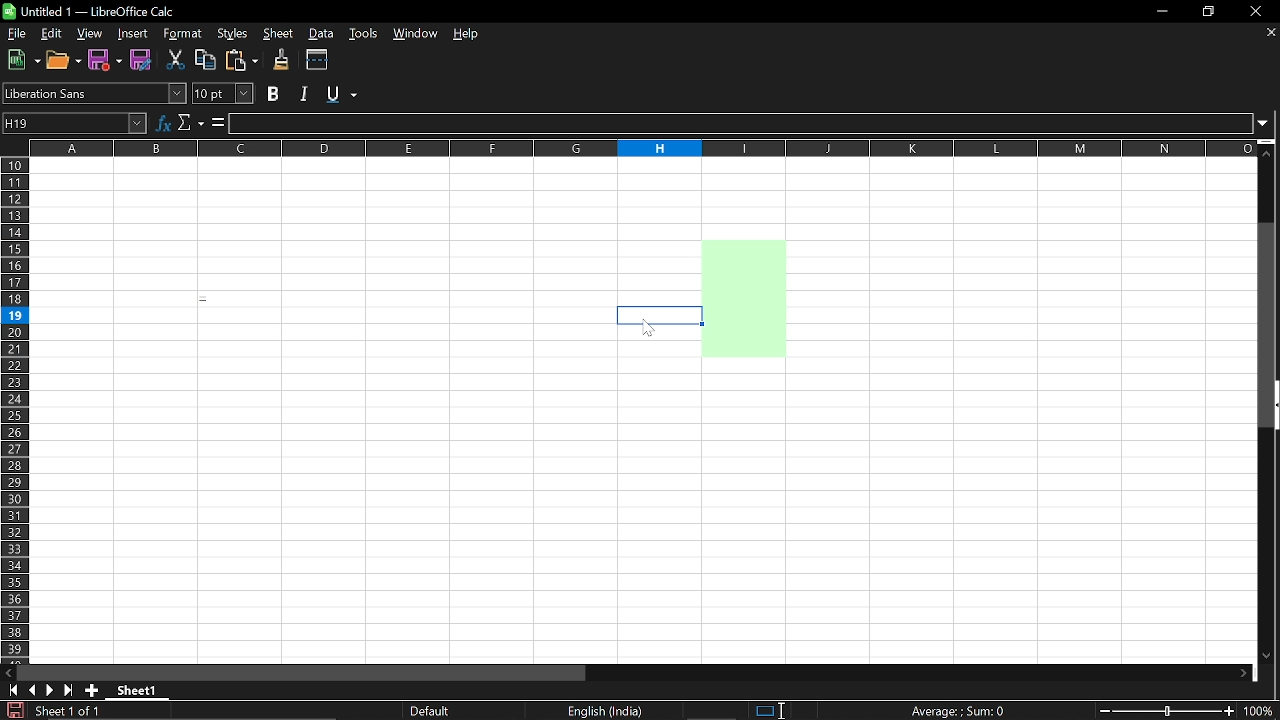  What do you see at coordinates (742, 124) in the screenshot?
I see `Input line` at bounding box center [742, 124].